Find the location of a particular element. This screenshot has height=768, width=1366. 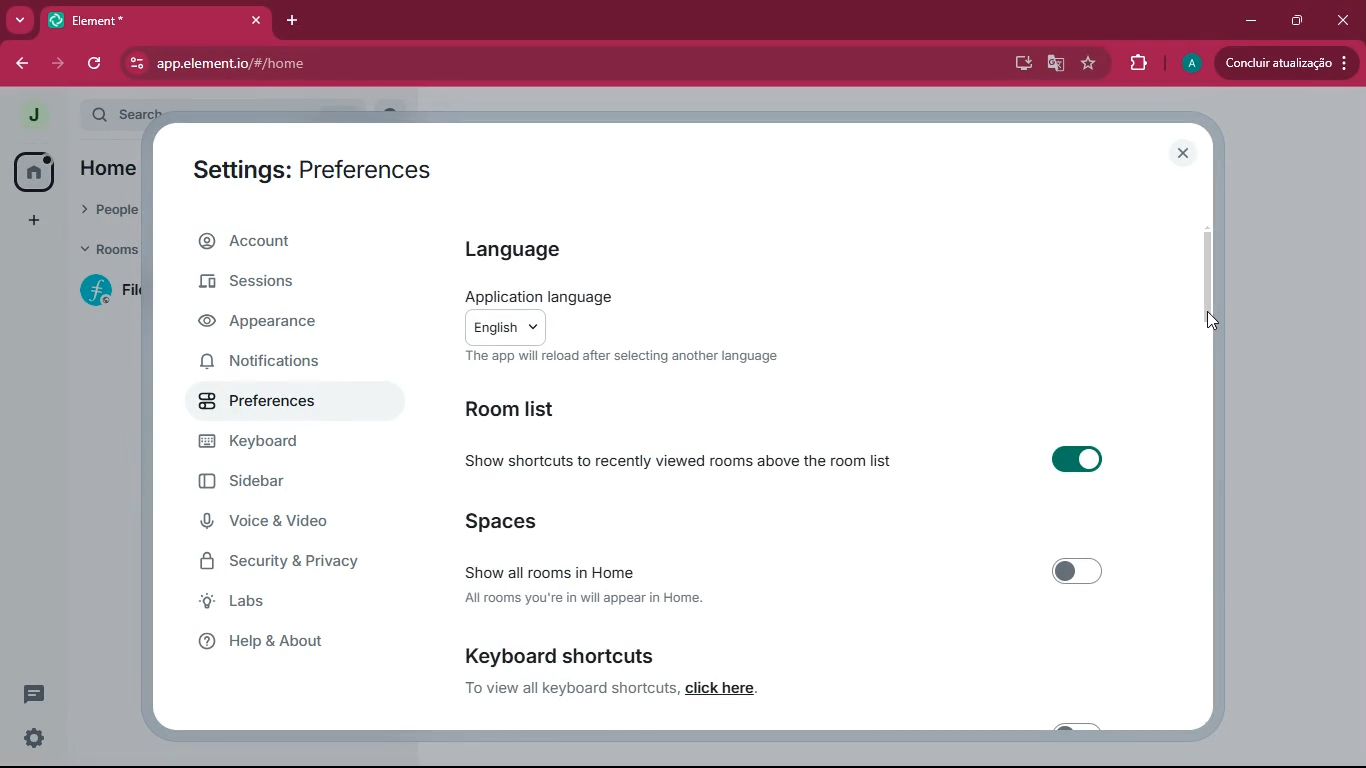

close is located at coordinates (1185, 153).